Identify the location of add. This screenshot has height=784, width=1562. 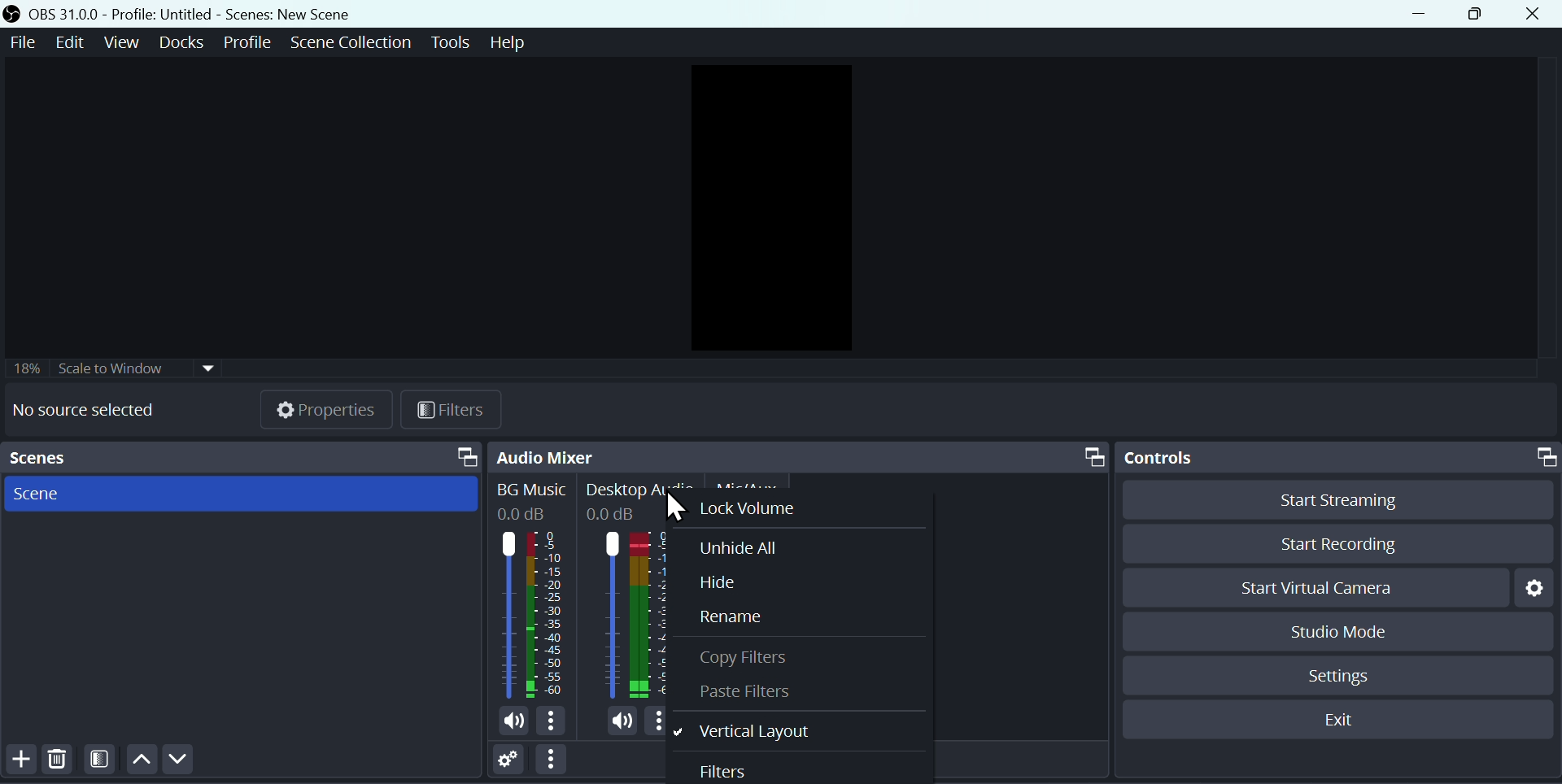
(20, 762).